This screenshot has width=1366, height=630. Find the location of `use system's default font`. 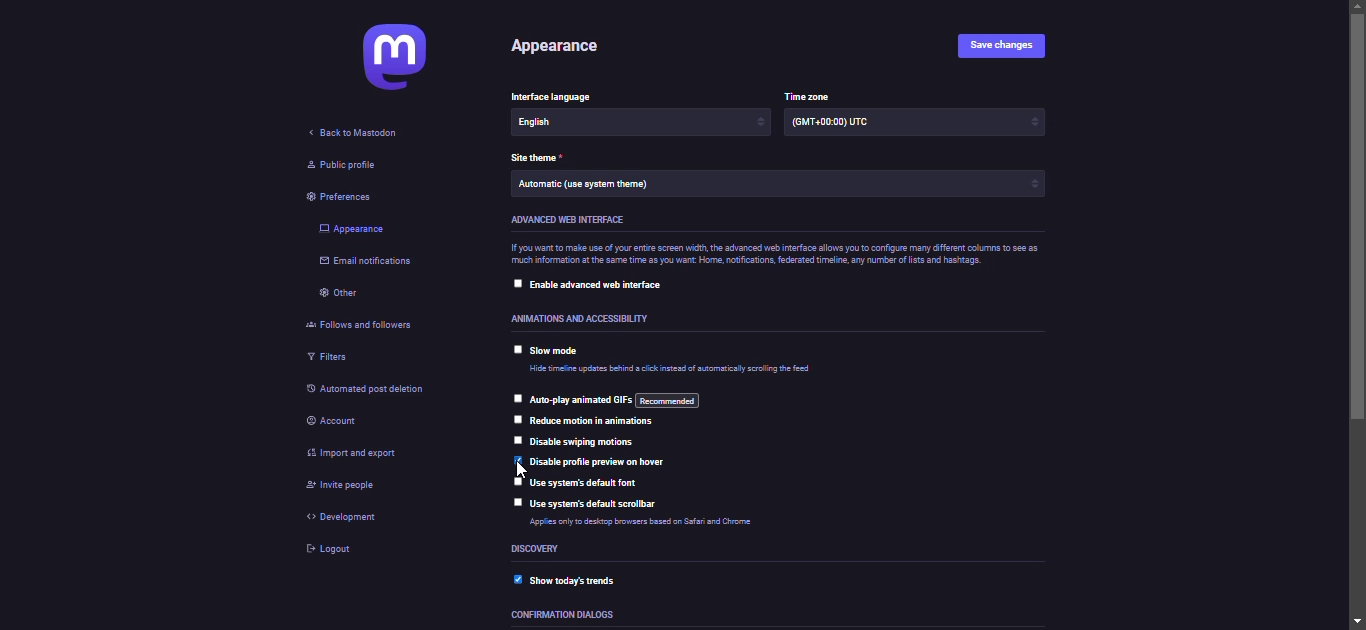

use system's default font is located at coordinates (588, 484).